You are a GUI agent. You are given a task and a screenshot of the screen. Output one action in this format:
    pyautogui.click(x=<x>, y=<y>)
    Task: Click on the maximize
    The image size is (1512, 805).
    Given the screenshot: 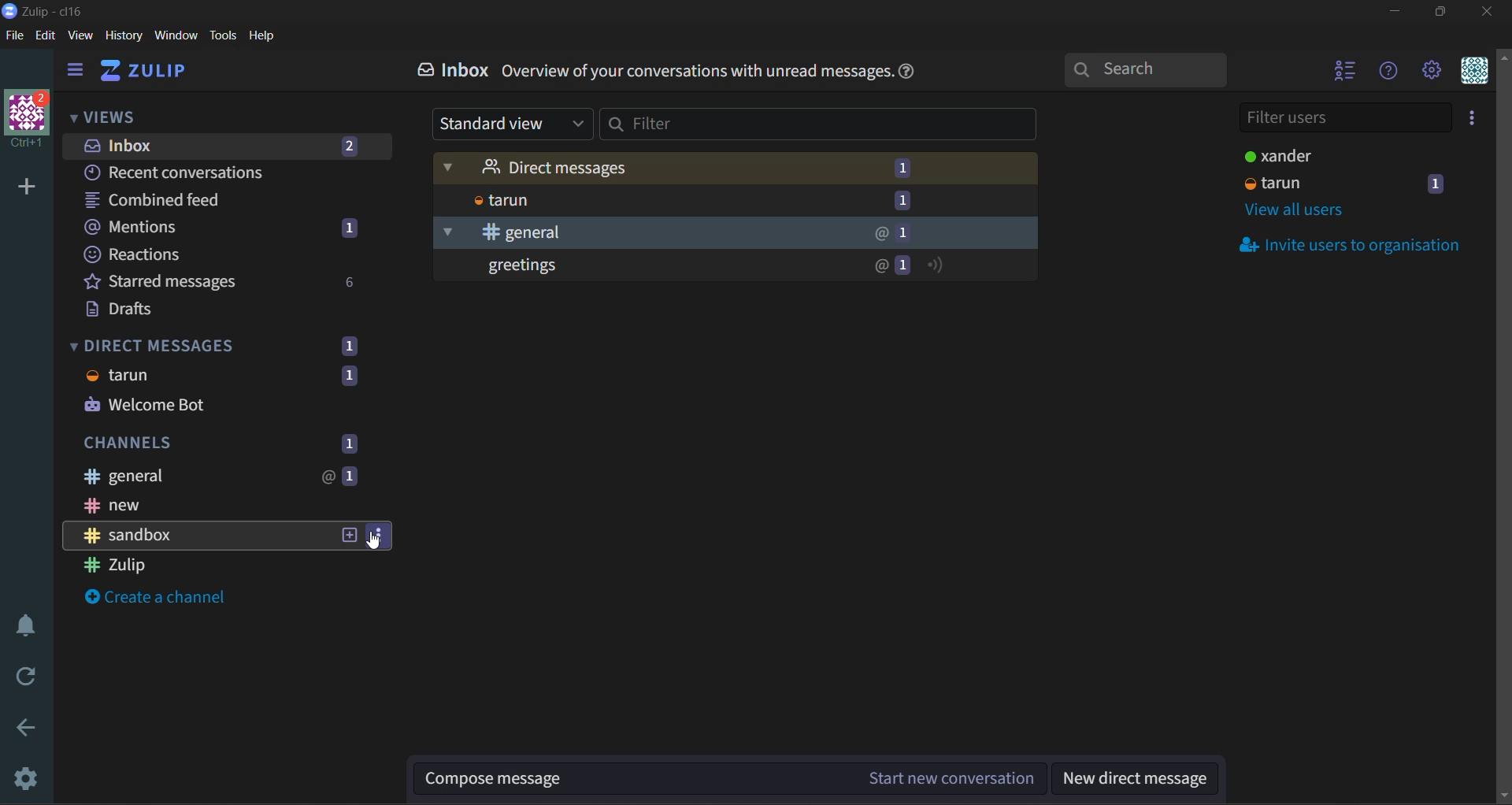 What is the action you would take?
    pyautogui.click(x=1450, y=14)
    